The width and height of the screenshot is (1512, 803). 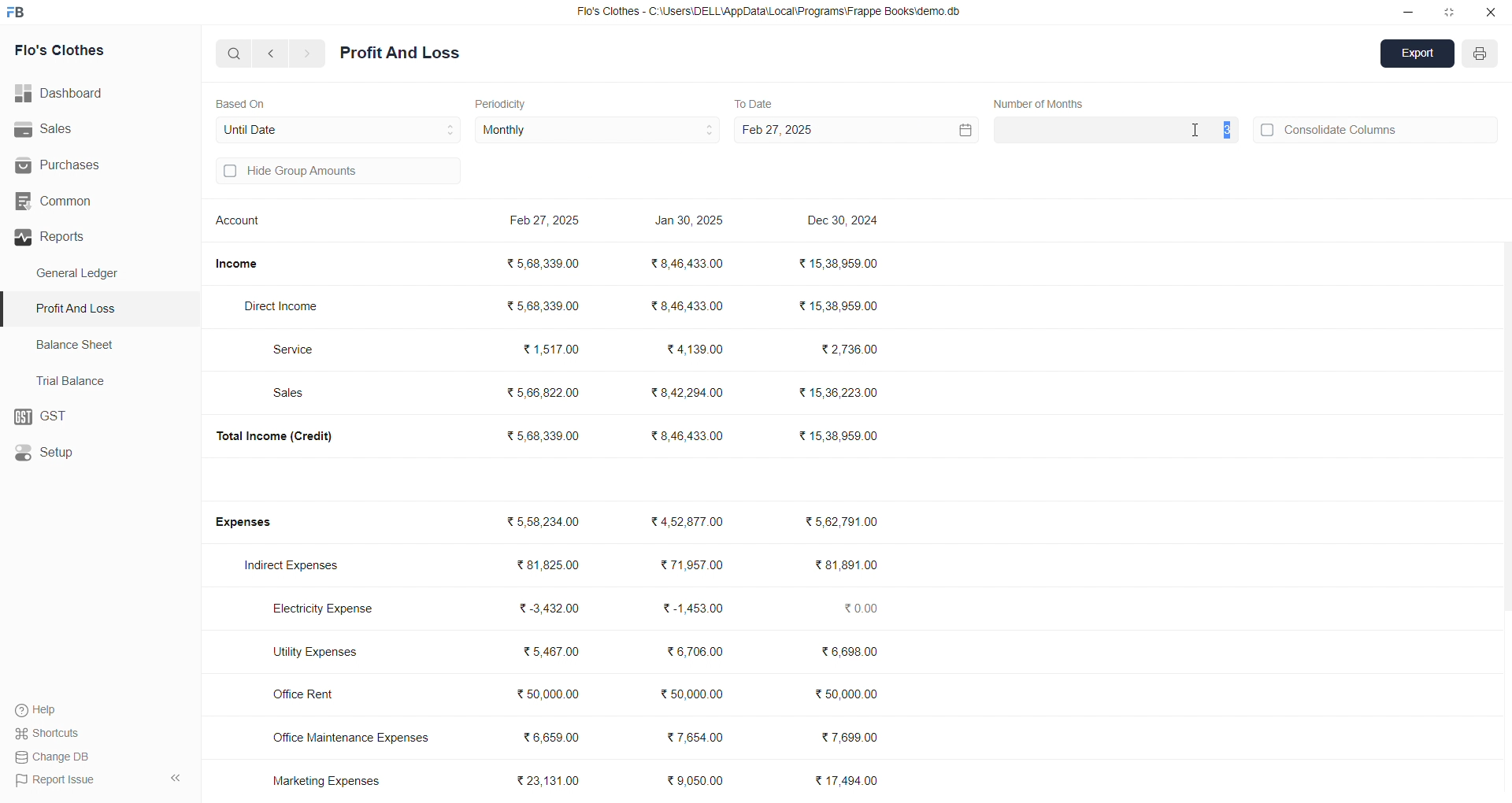 What do you see at coordinates (841, 436) in the screenshot?
I see `₹15,38,959.00` at bounding box center [841, 436].